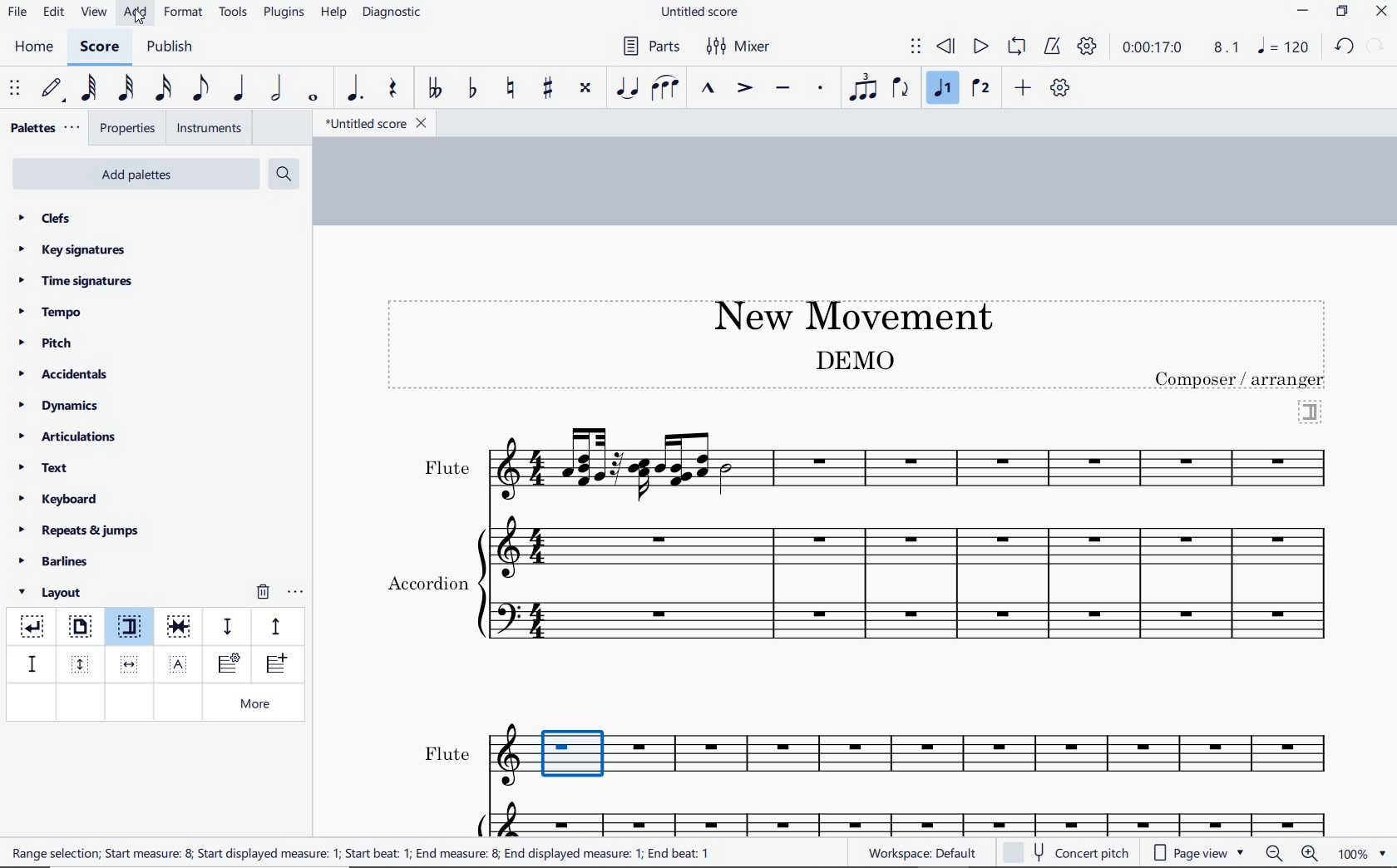 This screenshot has height=868, width=1397. I want to click on text, so click(45, 470).